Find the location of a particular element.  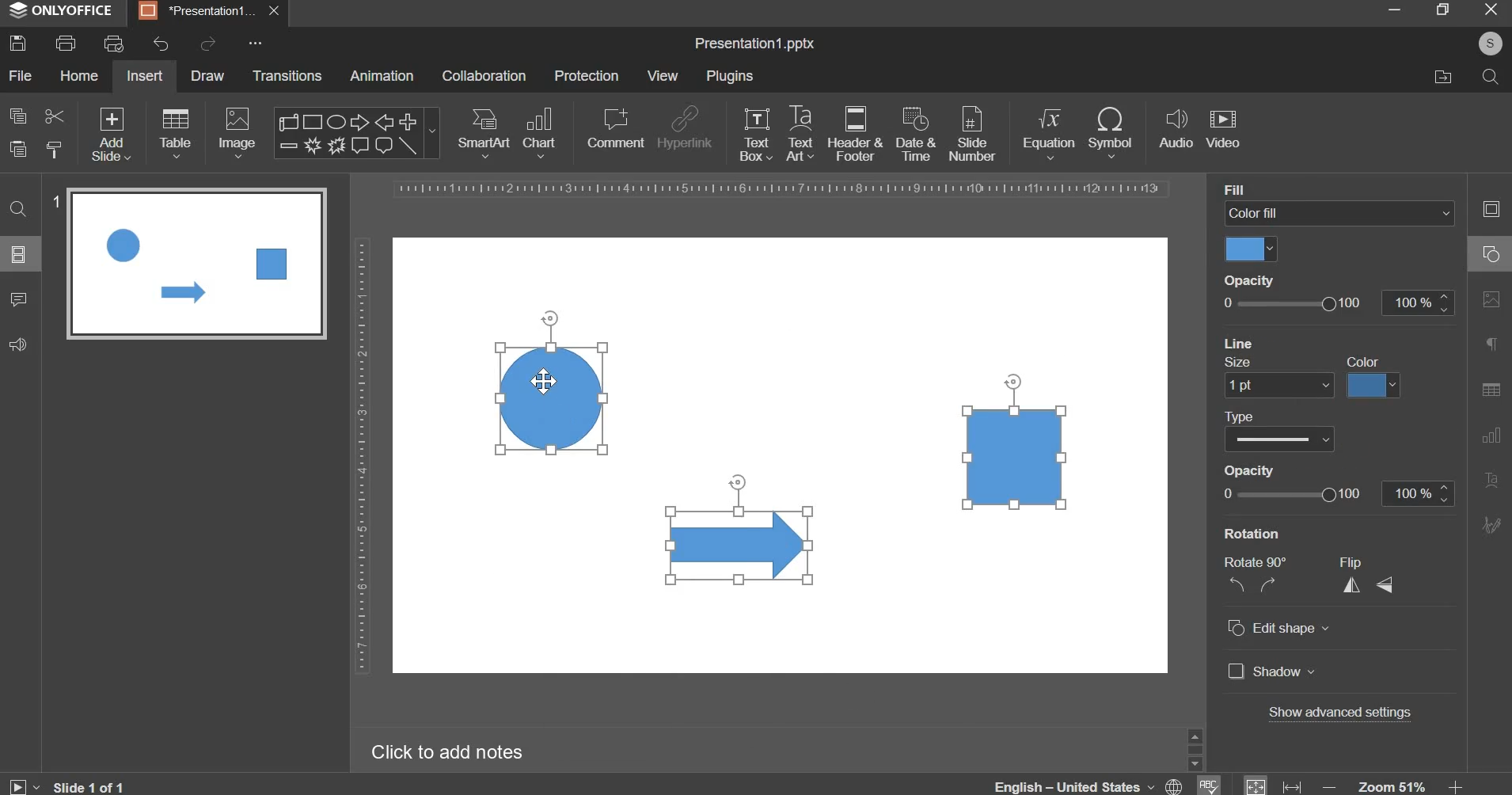

Presentation is located at coordinates (197, 12).